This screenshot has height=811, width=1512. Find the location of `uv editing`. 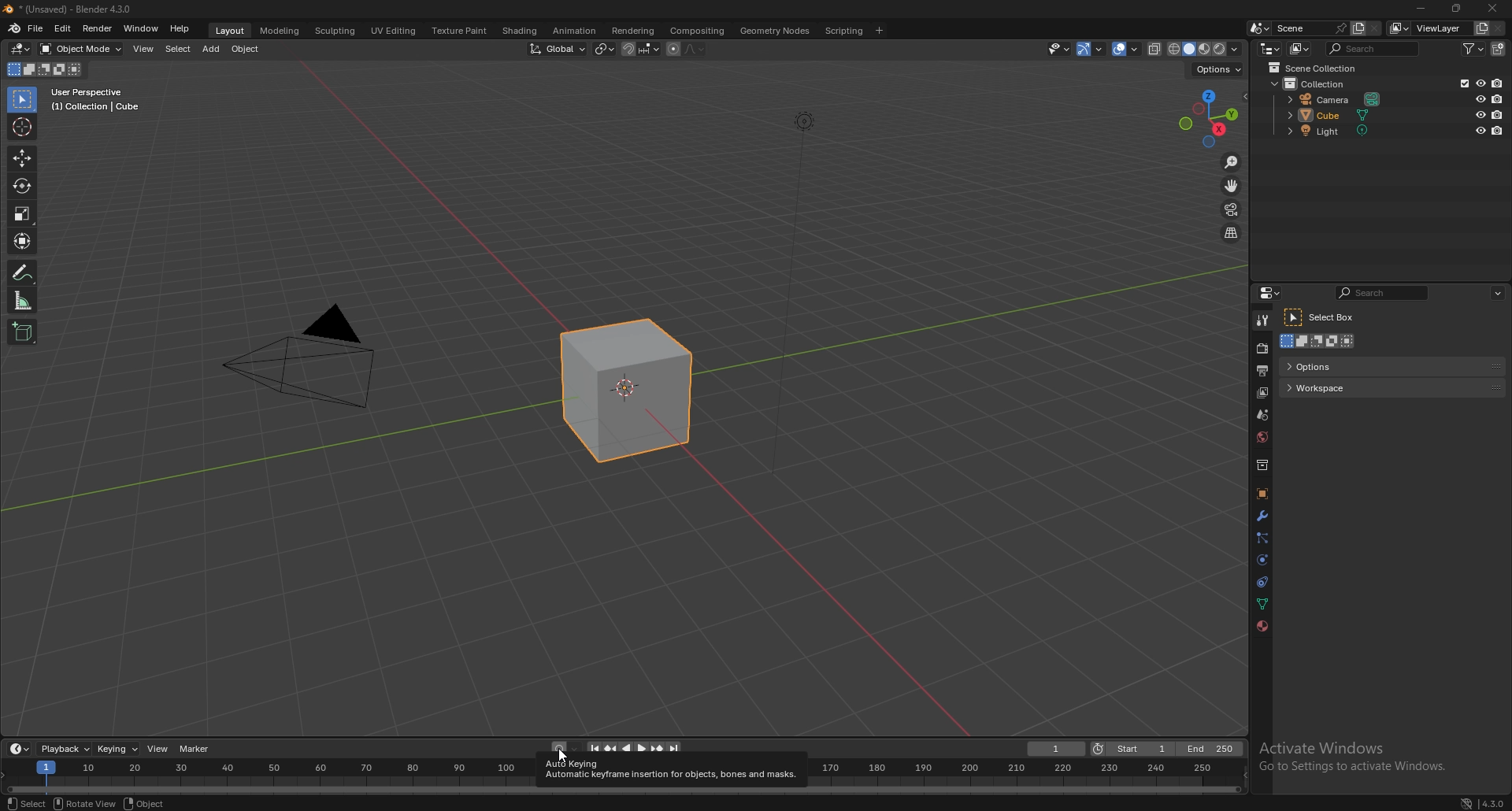

uv editing is located at coordinates (394, 31).